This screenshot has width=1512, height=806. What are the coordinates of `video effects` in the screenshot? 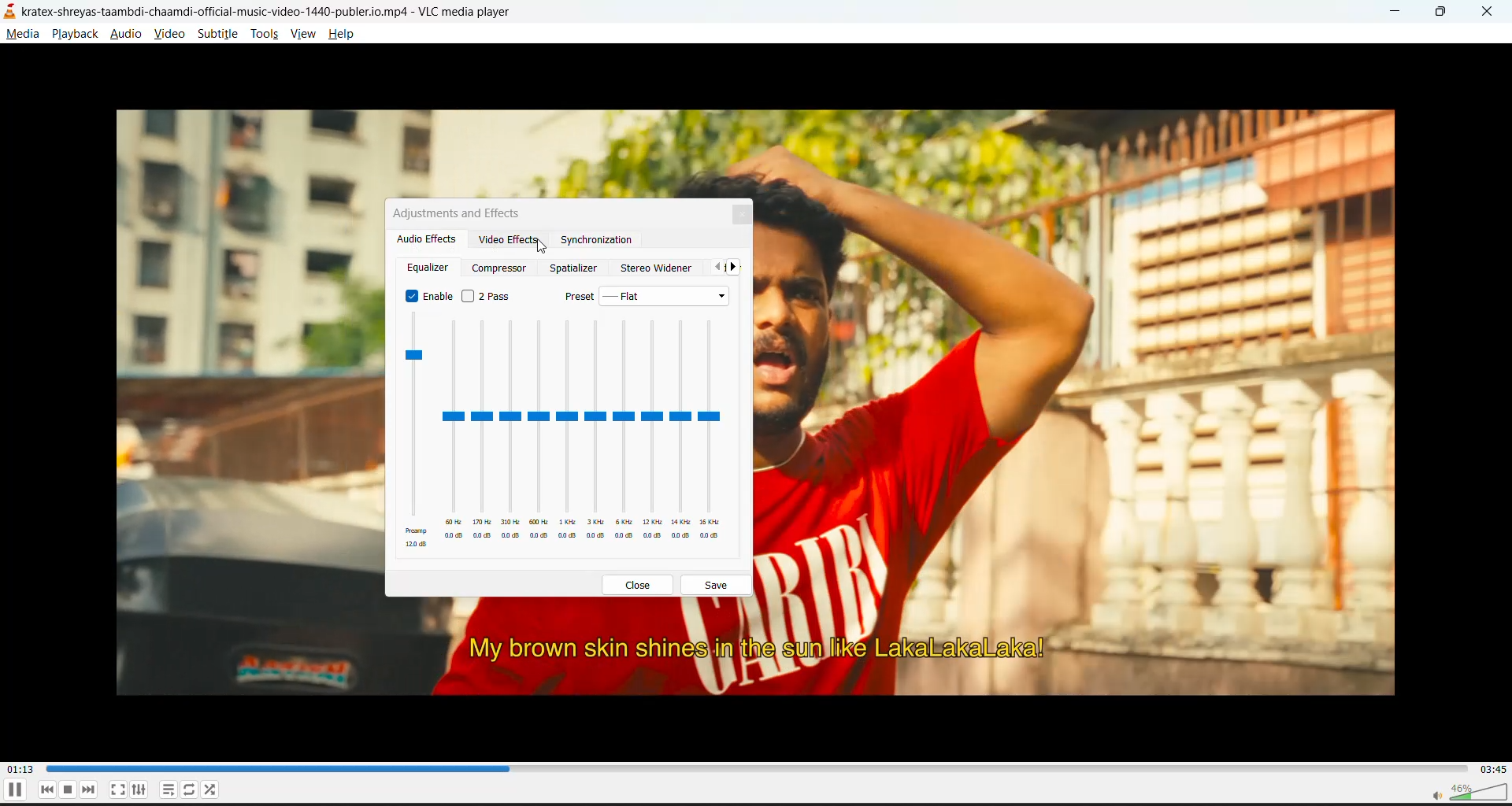 It's located at (508, 242).